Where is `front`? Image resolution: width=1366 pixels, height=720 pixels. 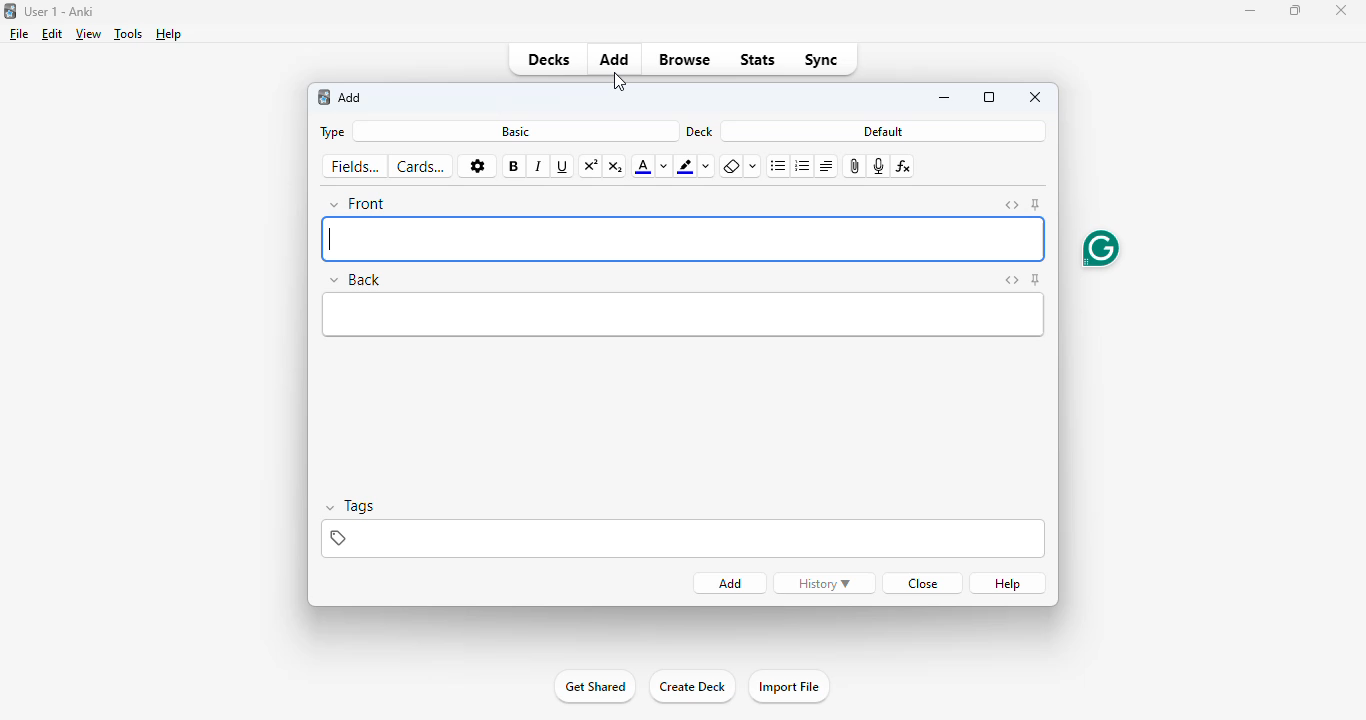 front is located at coordinates (359, 204).